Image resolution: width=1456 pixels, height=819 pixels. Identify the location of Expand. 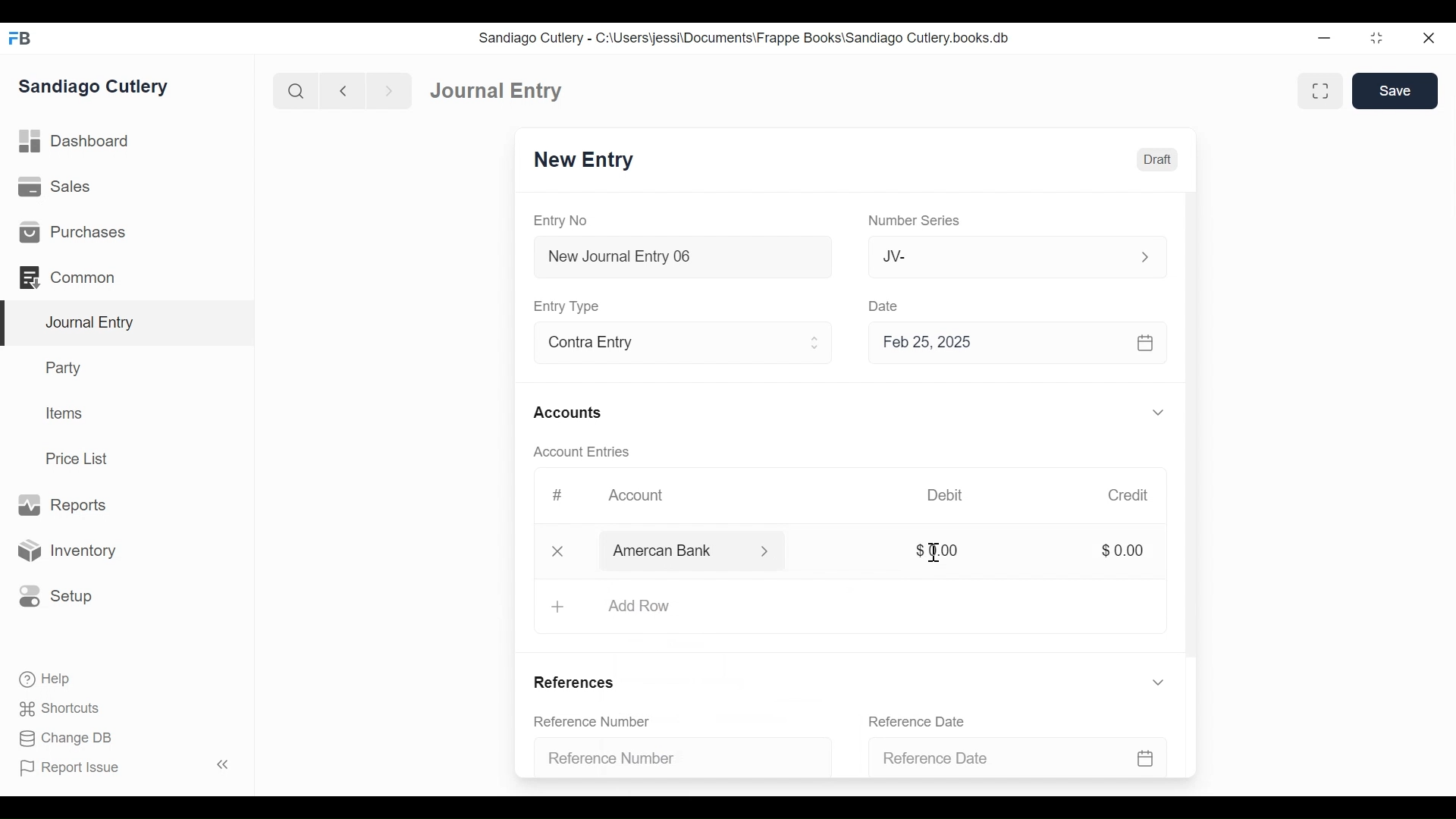
(1158, 682).